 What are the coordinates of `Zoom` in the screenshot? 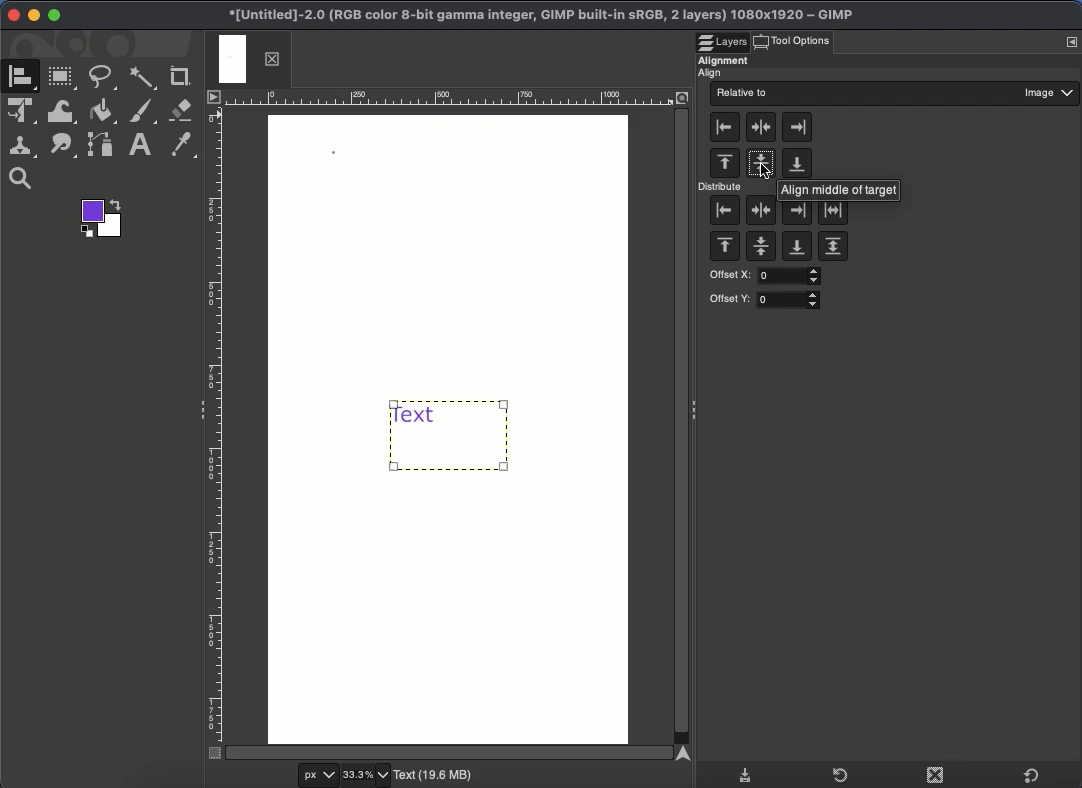 It's located at (25, 179).